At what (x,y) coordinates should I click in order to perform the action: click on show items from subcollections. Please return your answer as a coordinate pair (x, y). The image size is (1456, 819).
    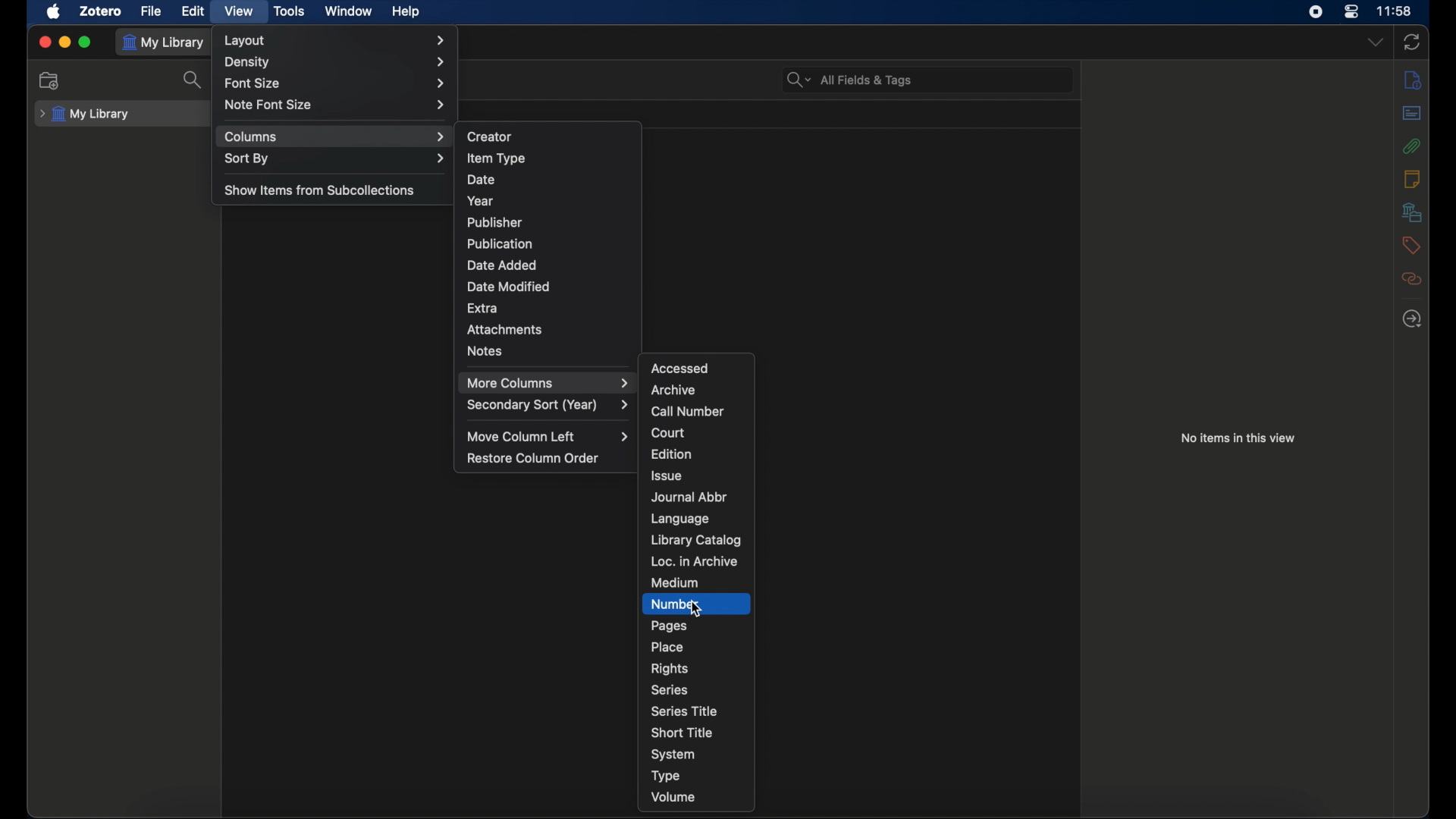
    Looking at the image, I should click on (318, 189).